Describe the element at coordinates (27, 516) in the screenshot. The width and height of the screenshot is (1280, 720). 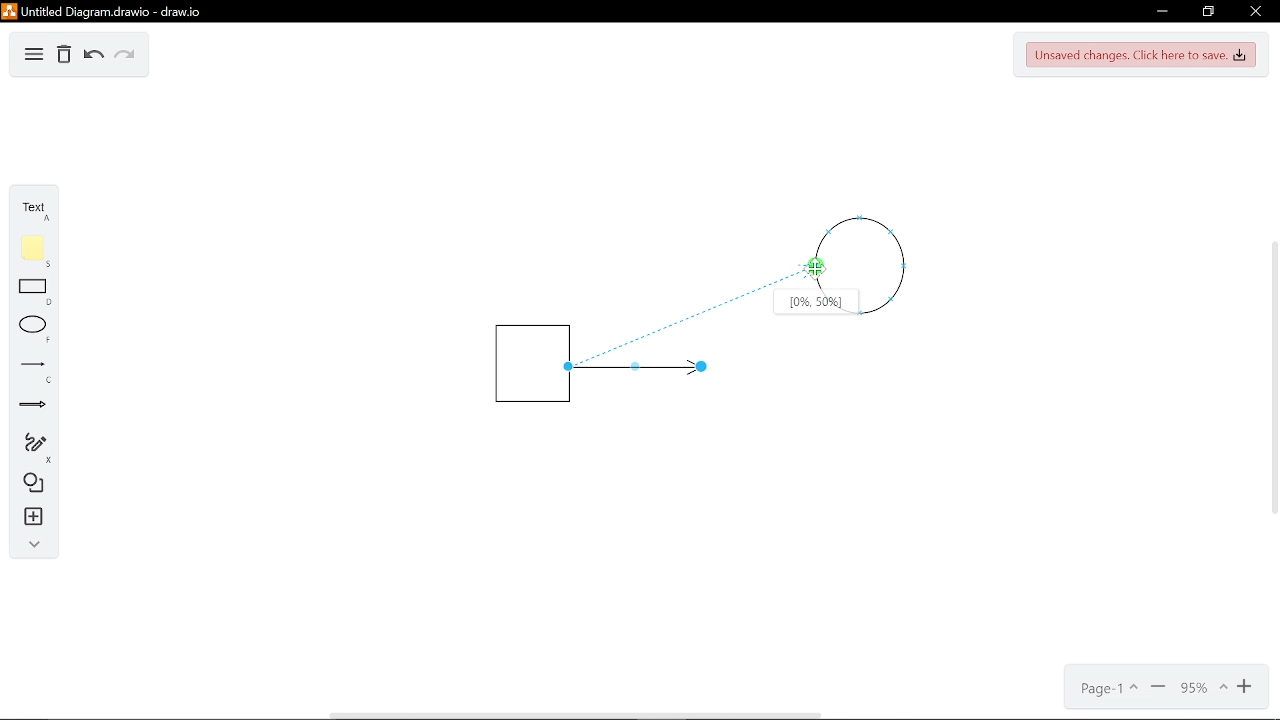
I see `Insert` at that location.